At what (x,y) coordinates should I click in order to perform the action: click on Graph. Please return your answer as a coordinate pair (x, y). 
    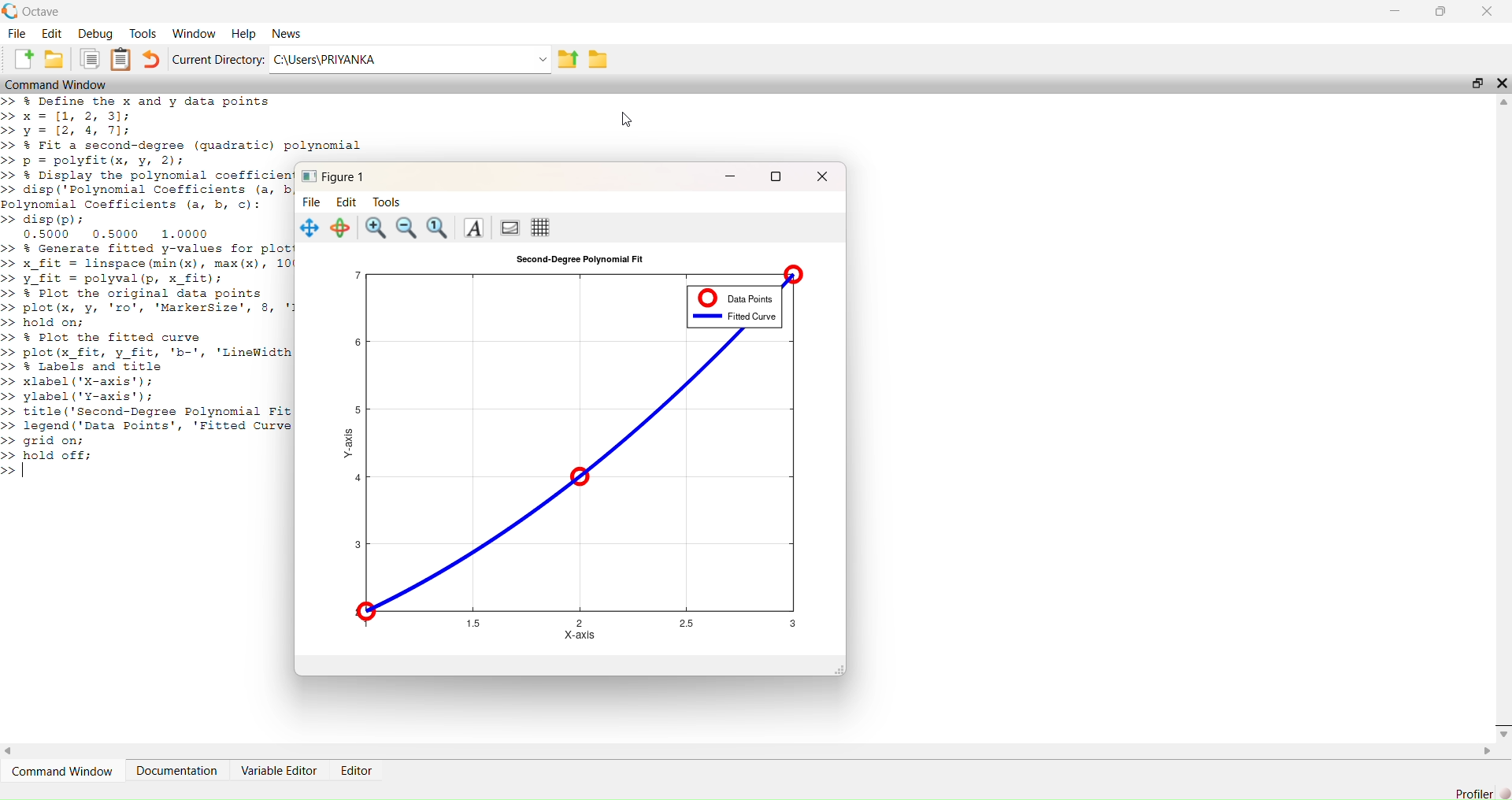
    Looking at the image, I should click on (580, 447).